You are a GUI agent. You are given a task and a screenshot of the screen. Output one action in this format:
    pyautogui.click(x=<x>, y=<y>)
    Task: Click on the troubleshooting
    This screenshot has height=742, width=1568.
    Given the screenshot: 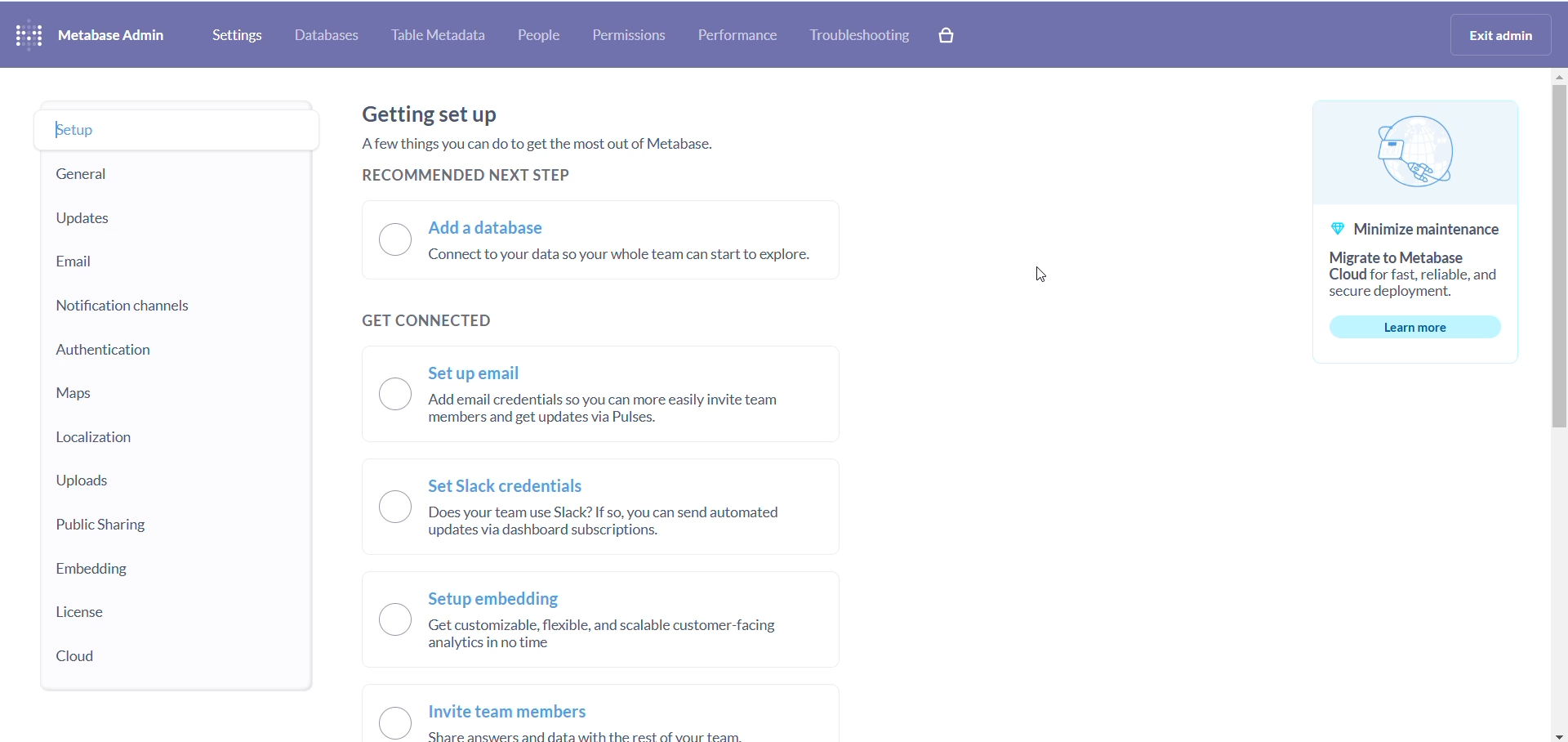 What is the action you would take?
    pyautogui.click(x=856, y=37)
    